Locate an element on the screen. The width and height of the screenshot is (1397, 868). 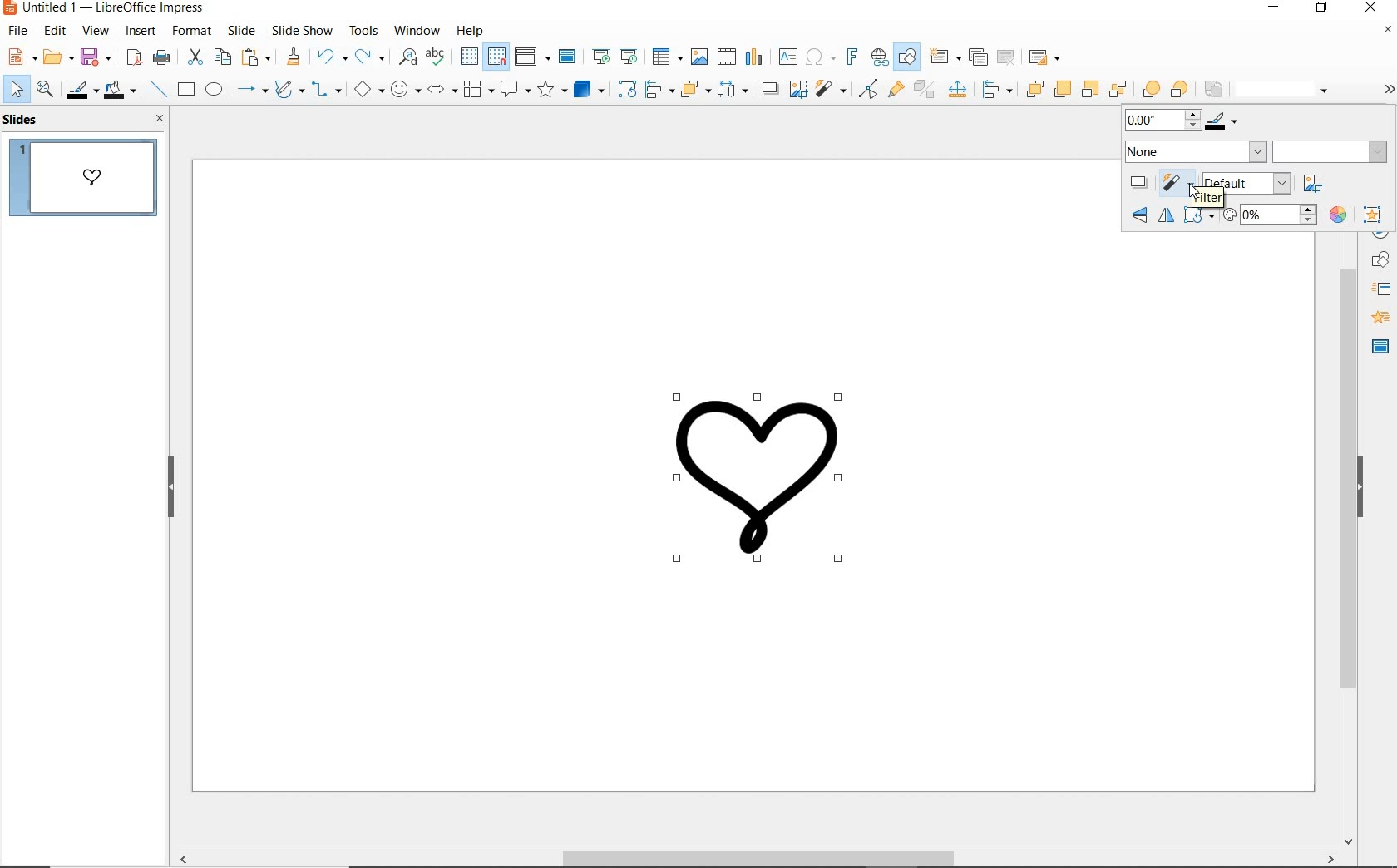
interaction is located at coordinates (1372, 215).